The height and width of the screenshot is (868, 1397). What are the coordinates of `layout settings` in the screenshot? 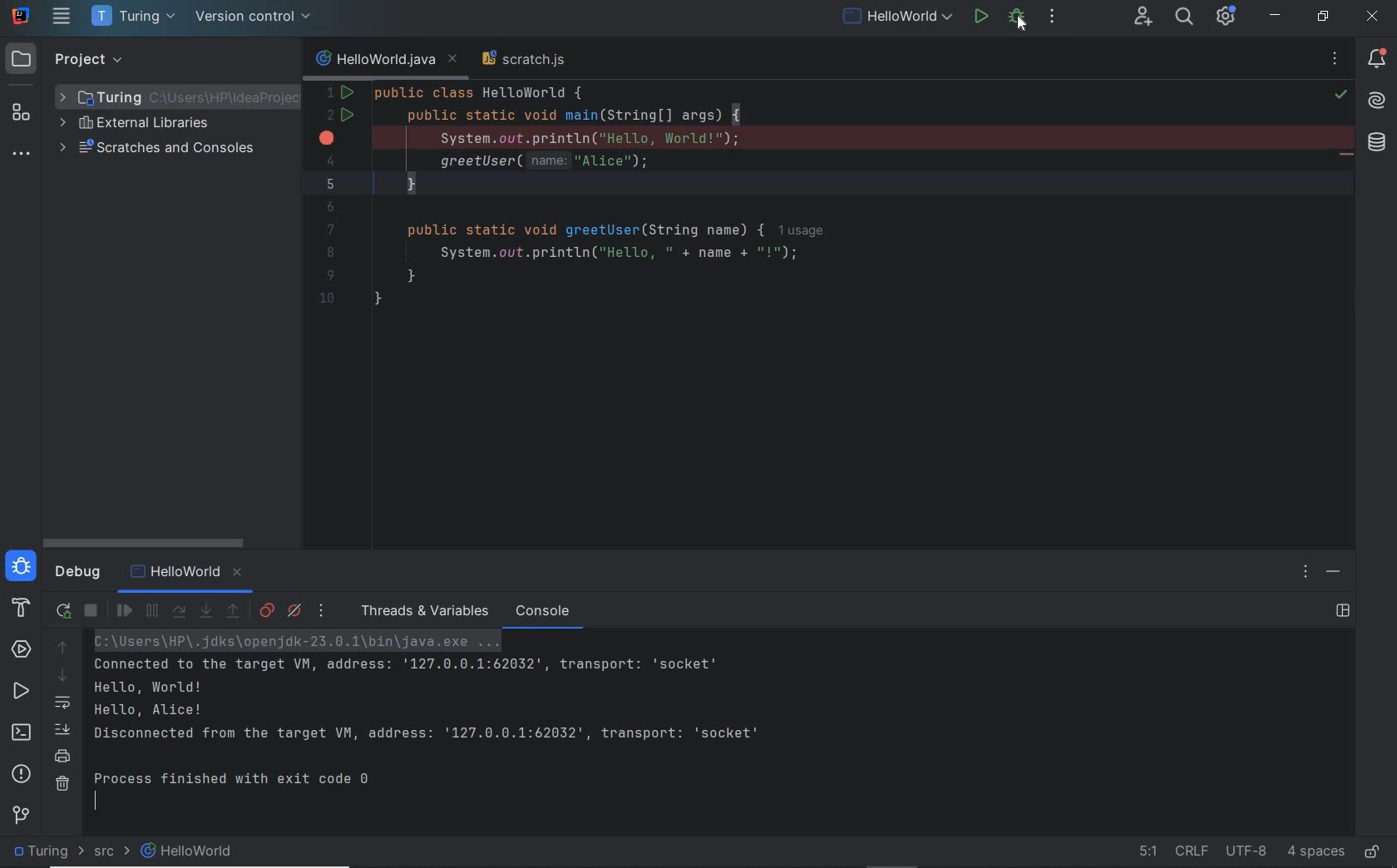 It's located at (1345, 610).